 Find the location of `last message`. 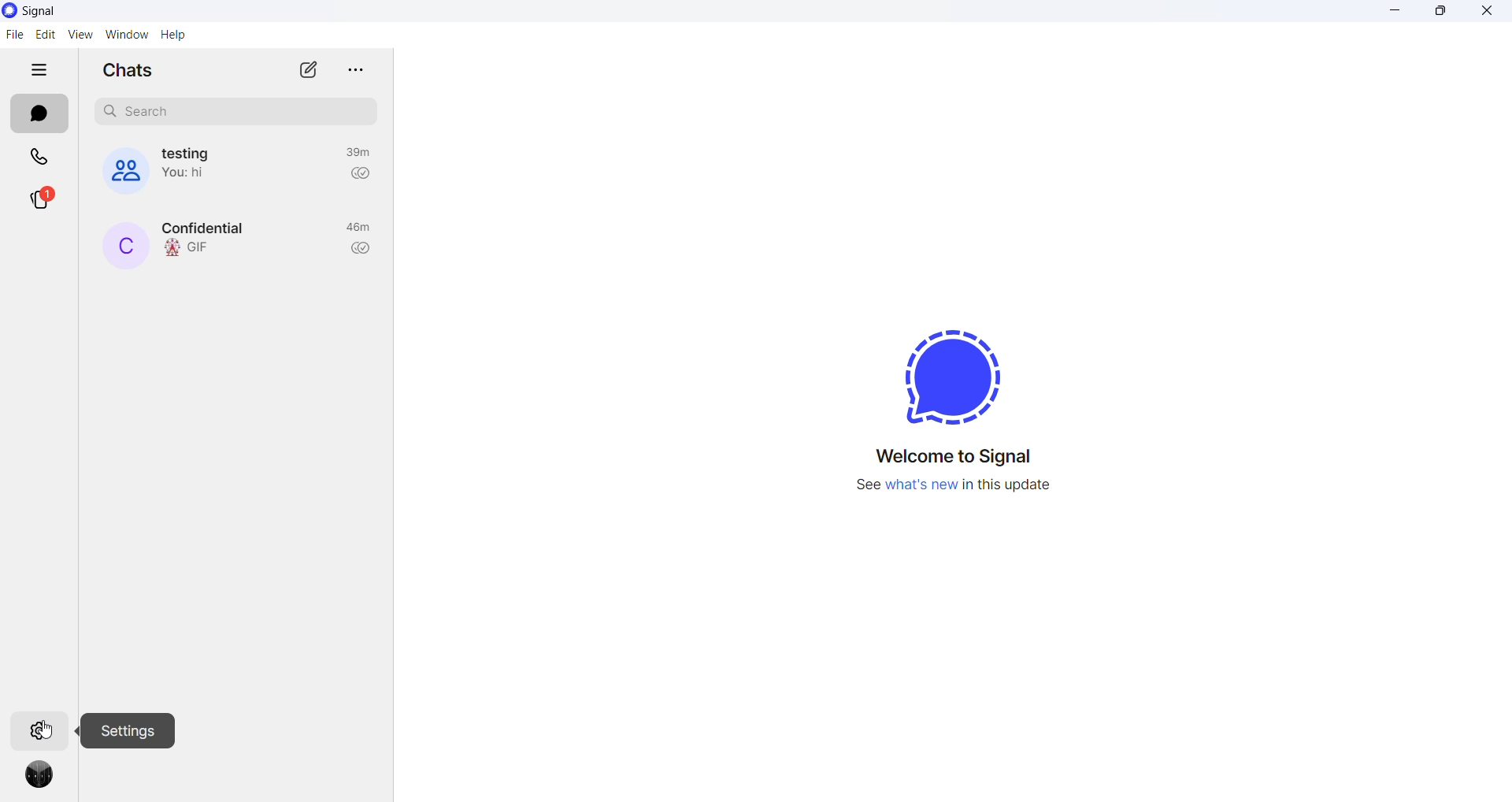

last message is located at coordinates (191, 175).